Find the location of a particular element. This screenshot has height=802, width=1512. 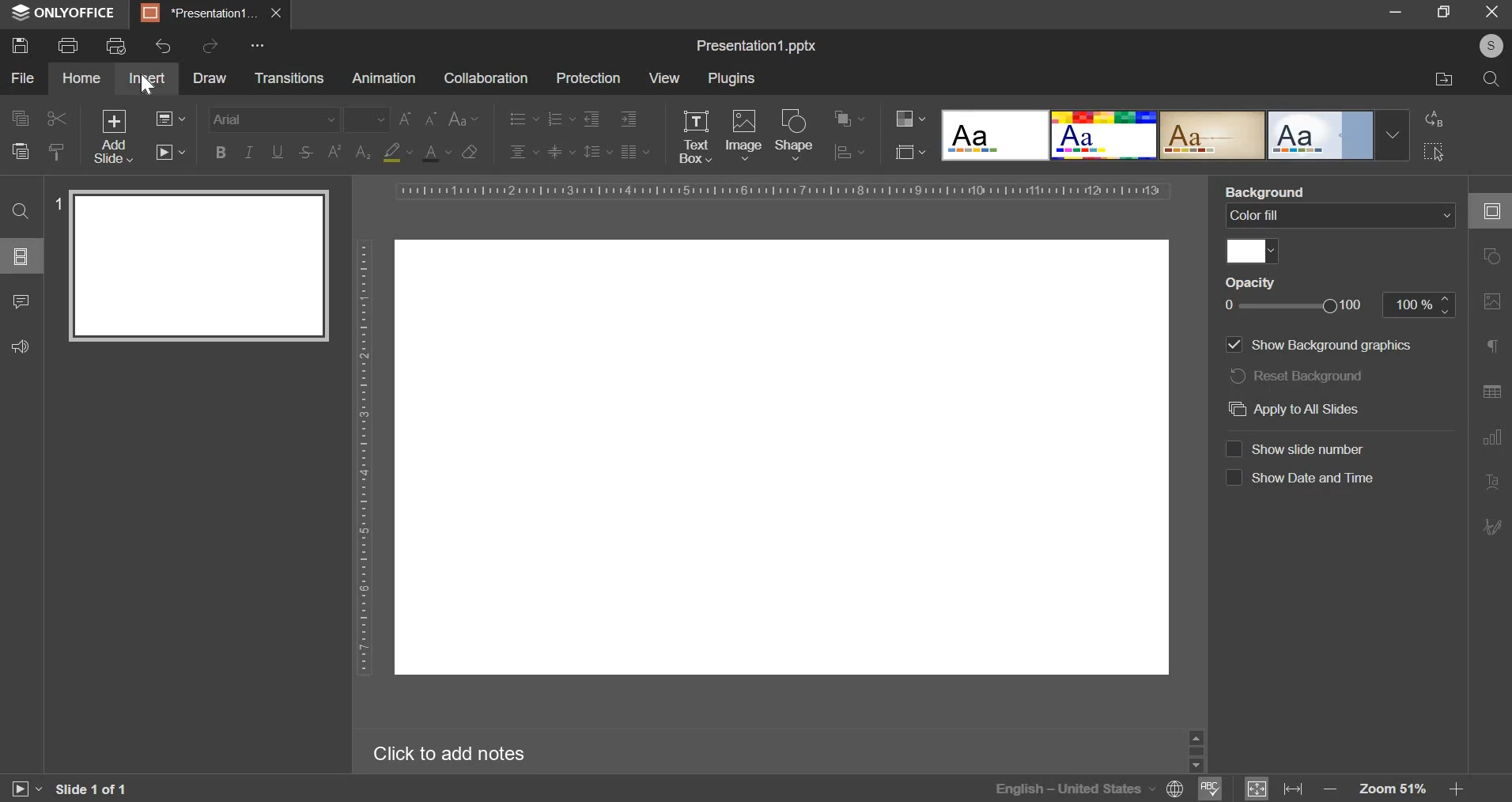

shape settings is located at coordinates (1495, 257).